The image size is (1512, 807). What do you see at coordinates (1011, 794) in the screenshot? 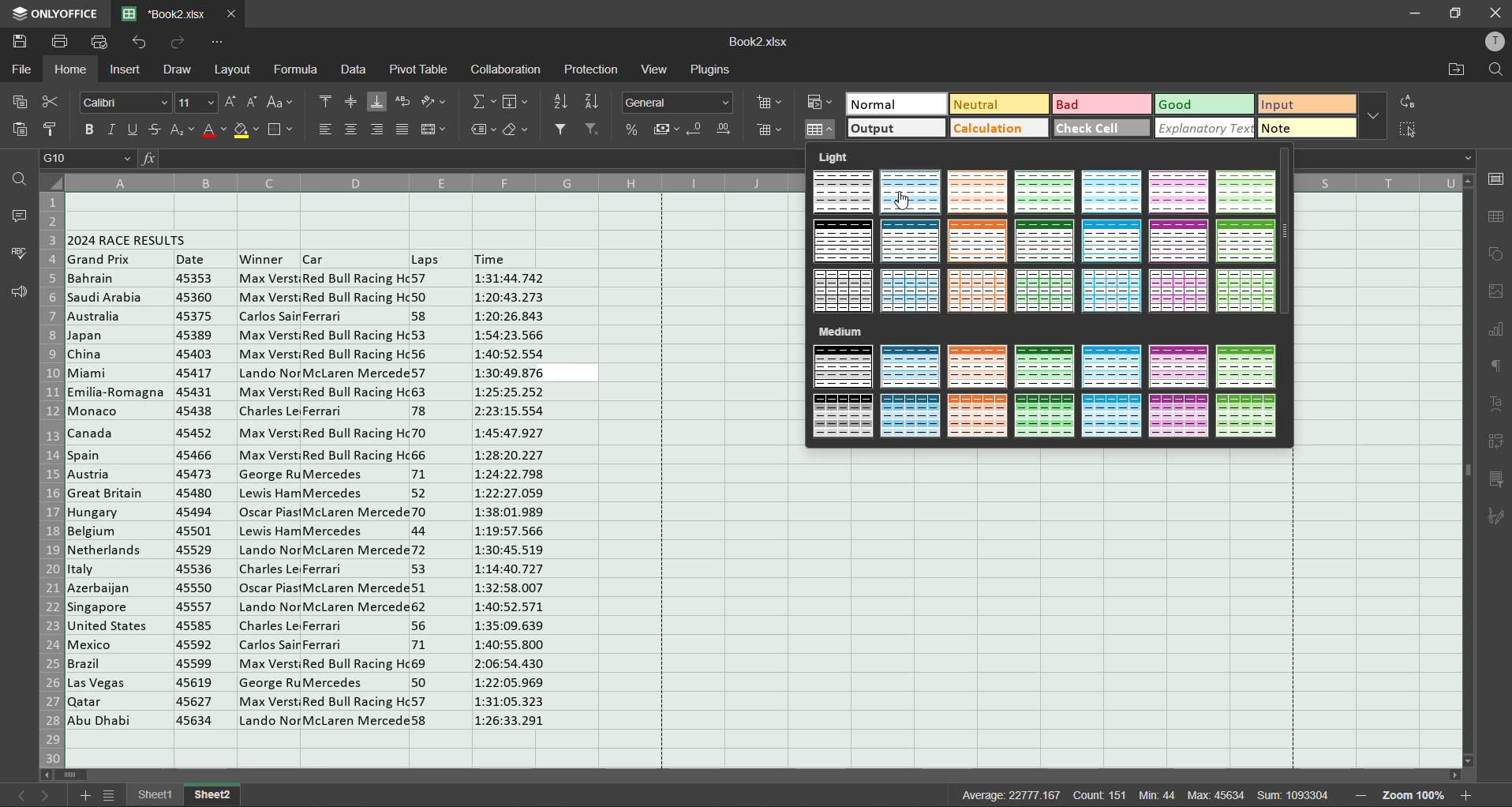
I see `average` at bounding box center [1011, 794].